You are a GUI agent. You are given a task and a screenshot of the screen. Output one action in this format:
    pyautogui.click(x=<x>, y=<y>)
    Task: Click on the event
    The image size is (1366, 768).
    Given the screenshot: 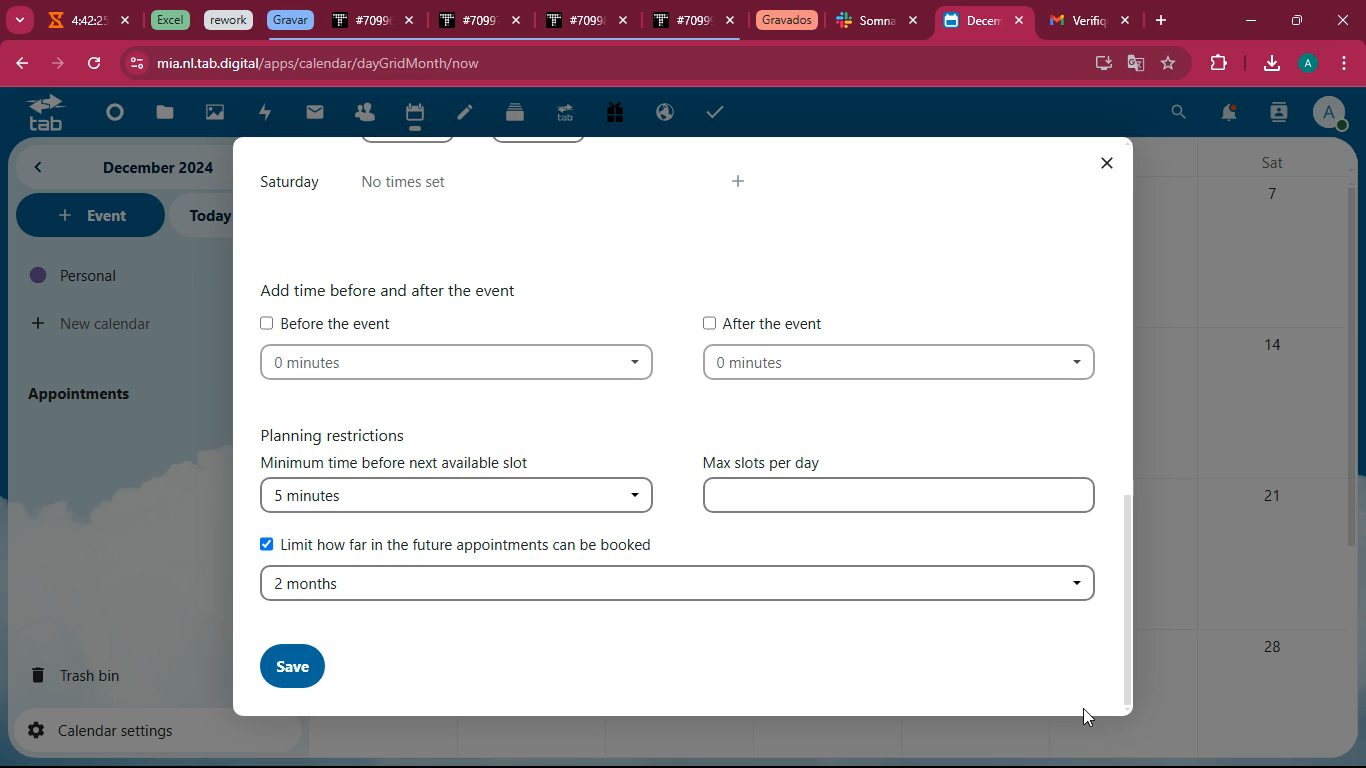 What is the action you would take?
    pyautogui.click(x=88, y=215)
    